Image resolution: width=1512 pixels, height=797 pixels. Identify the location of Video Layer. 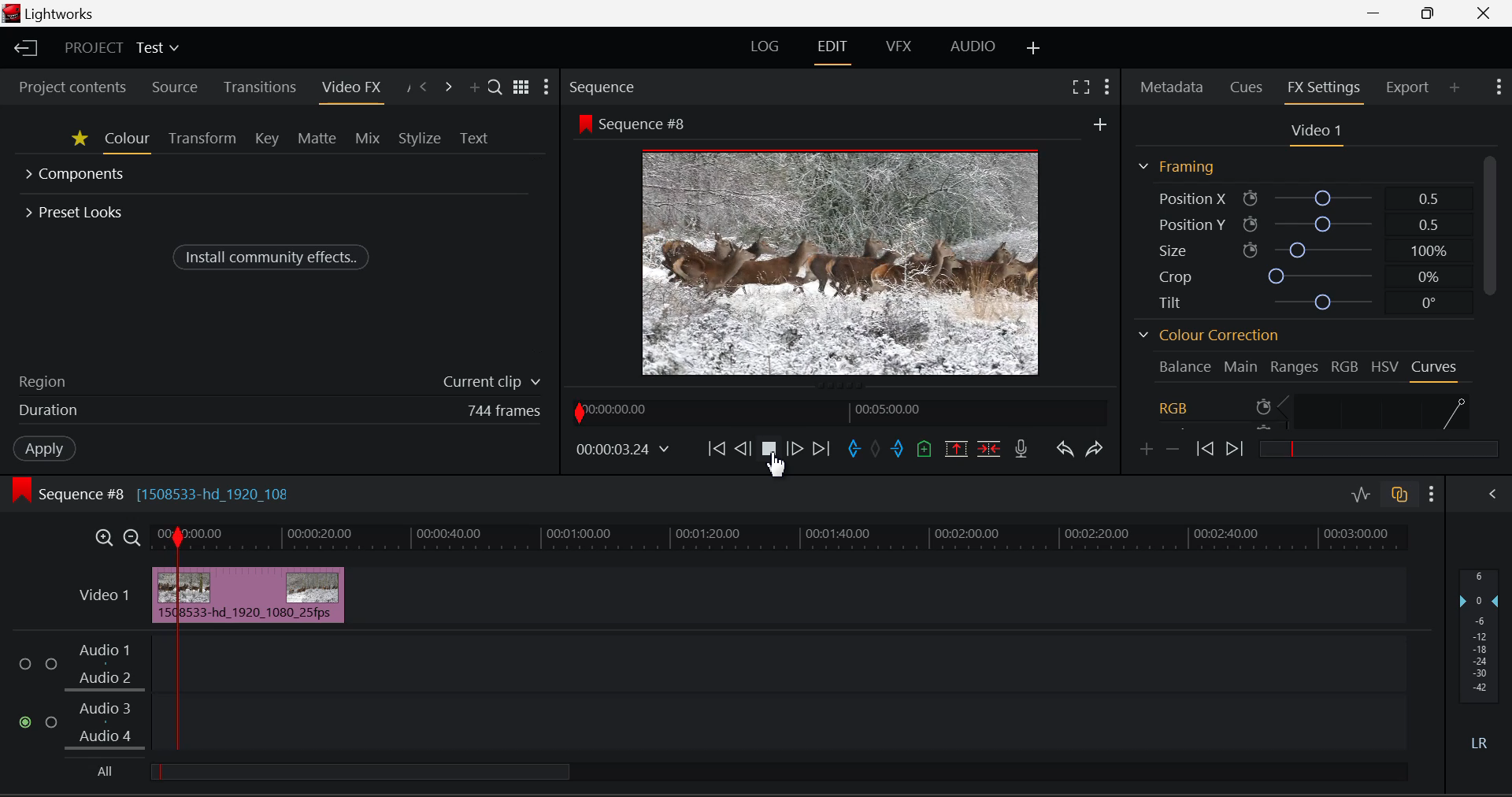
(104, 599).